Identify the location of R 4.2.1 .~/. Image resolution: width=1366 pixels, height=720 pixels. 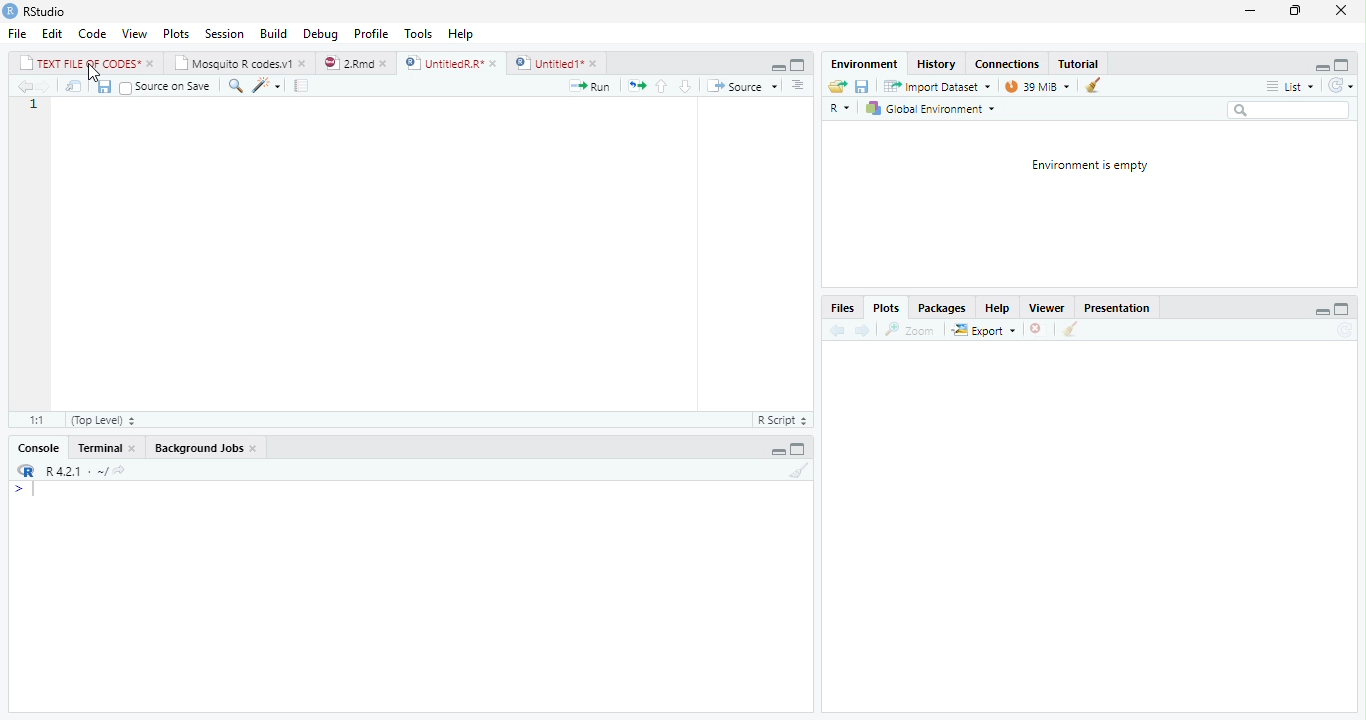
(74, 470).